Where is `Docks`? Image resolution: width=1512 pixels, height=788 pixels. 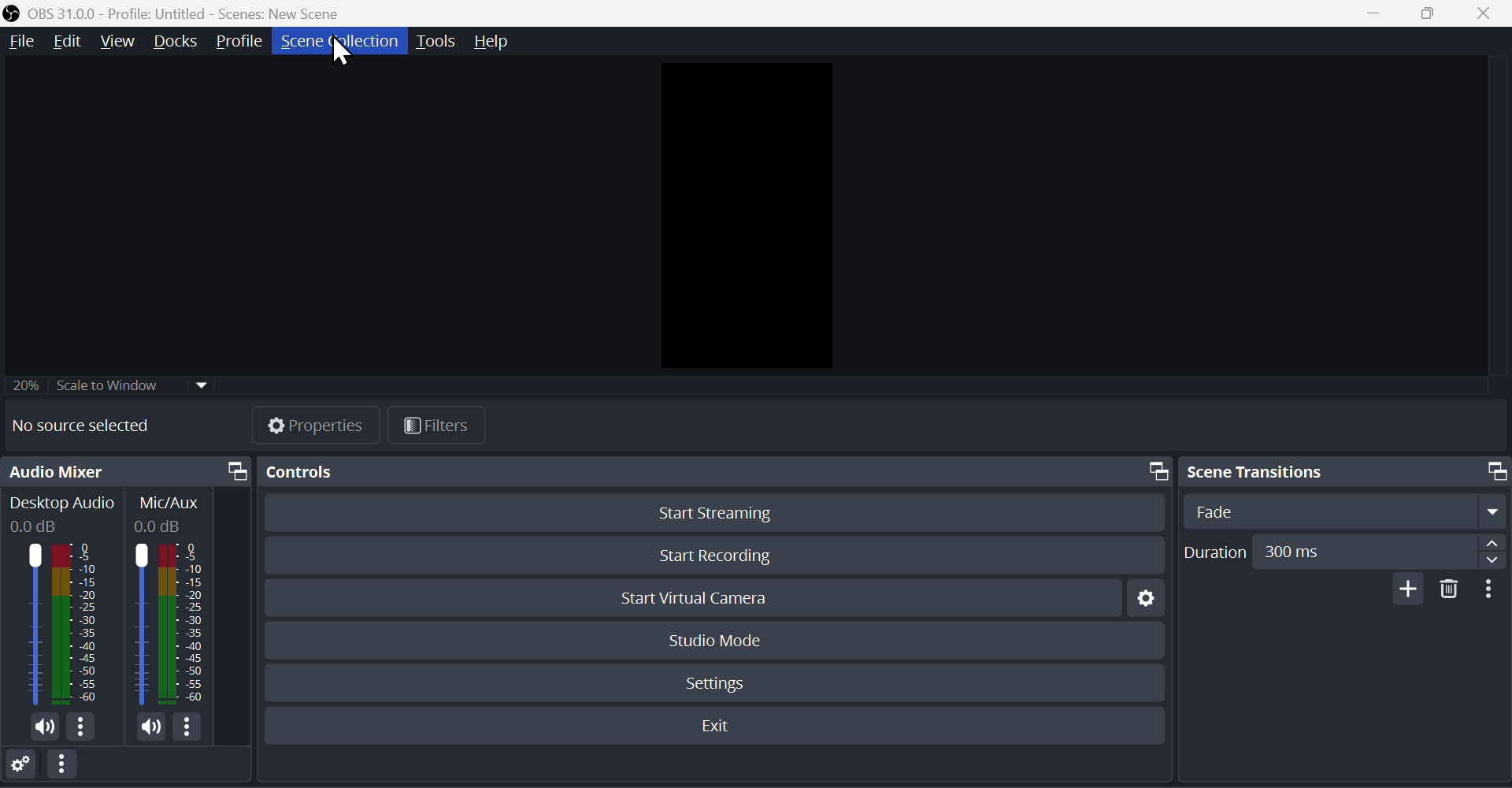
Docks is located at coordinates (178, 43).